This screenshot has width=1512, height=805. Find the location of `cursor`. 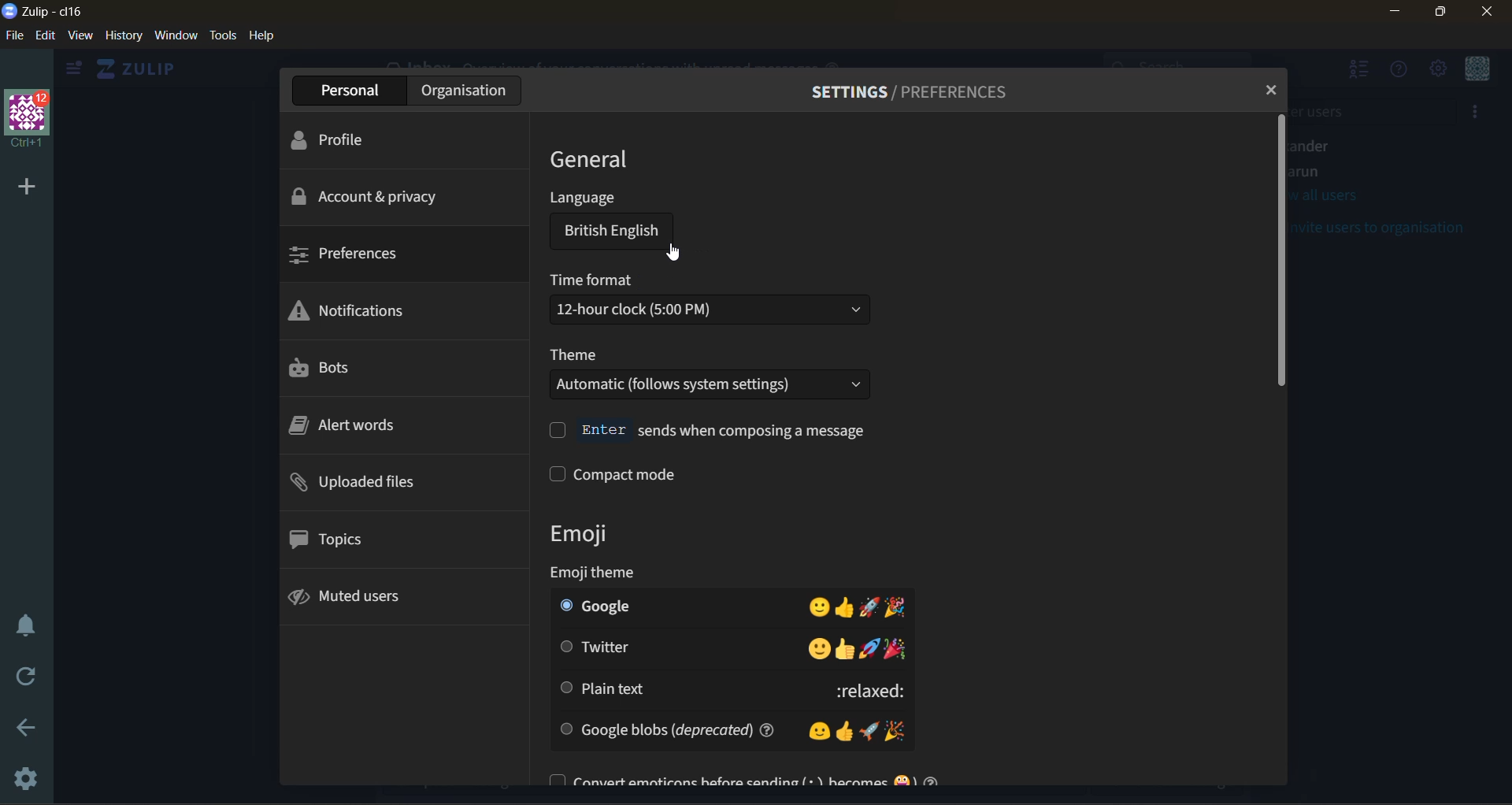

cursor is located at coordinates (676, 258).